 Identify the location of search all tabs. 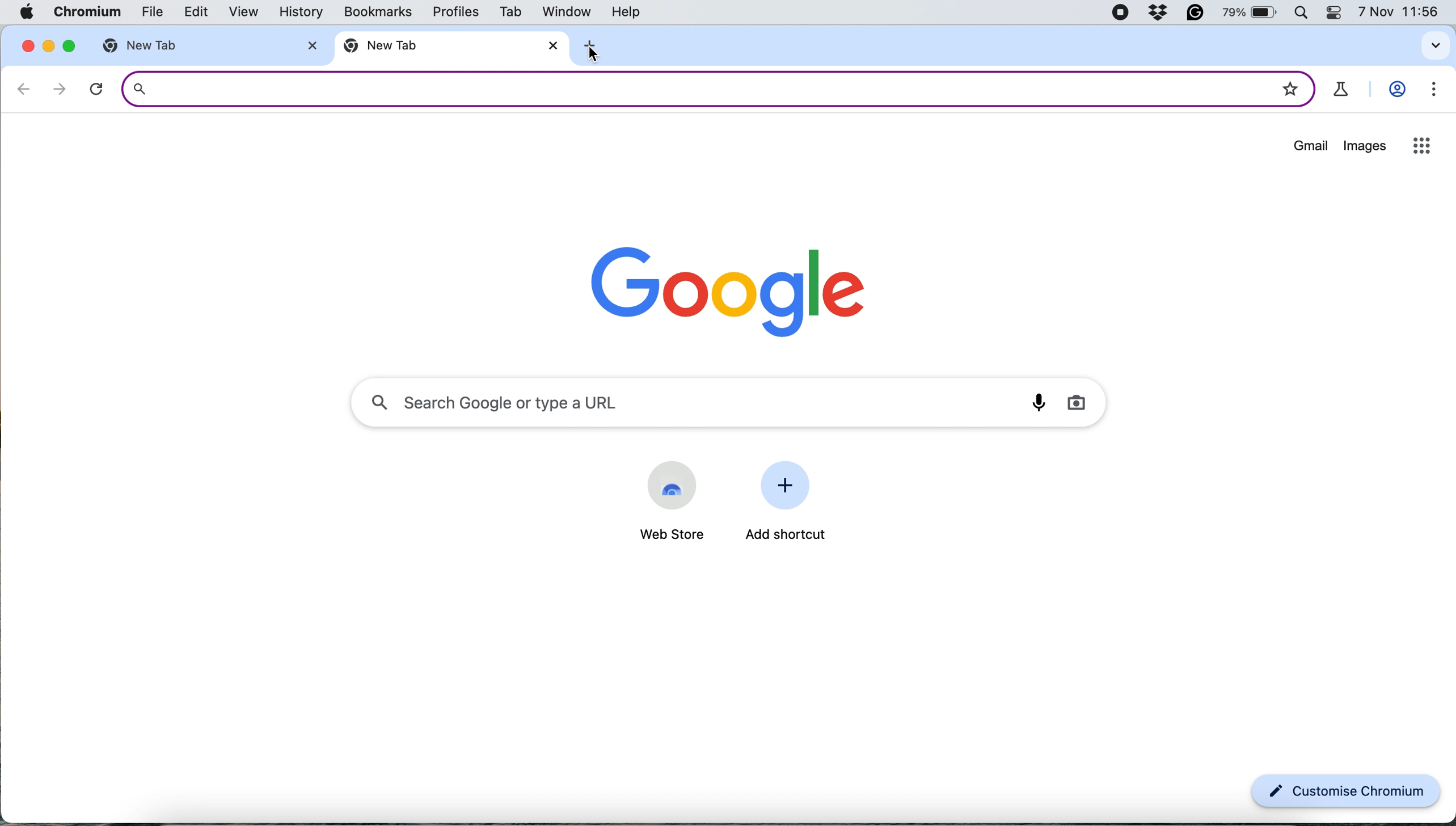
(1436, 45).